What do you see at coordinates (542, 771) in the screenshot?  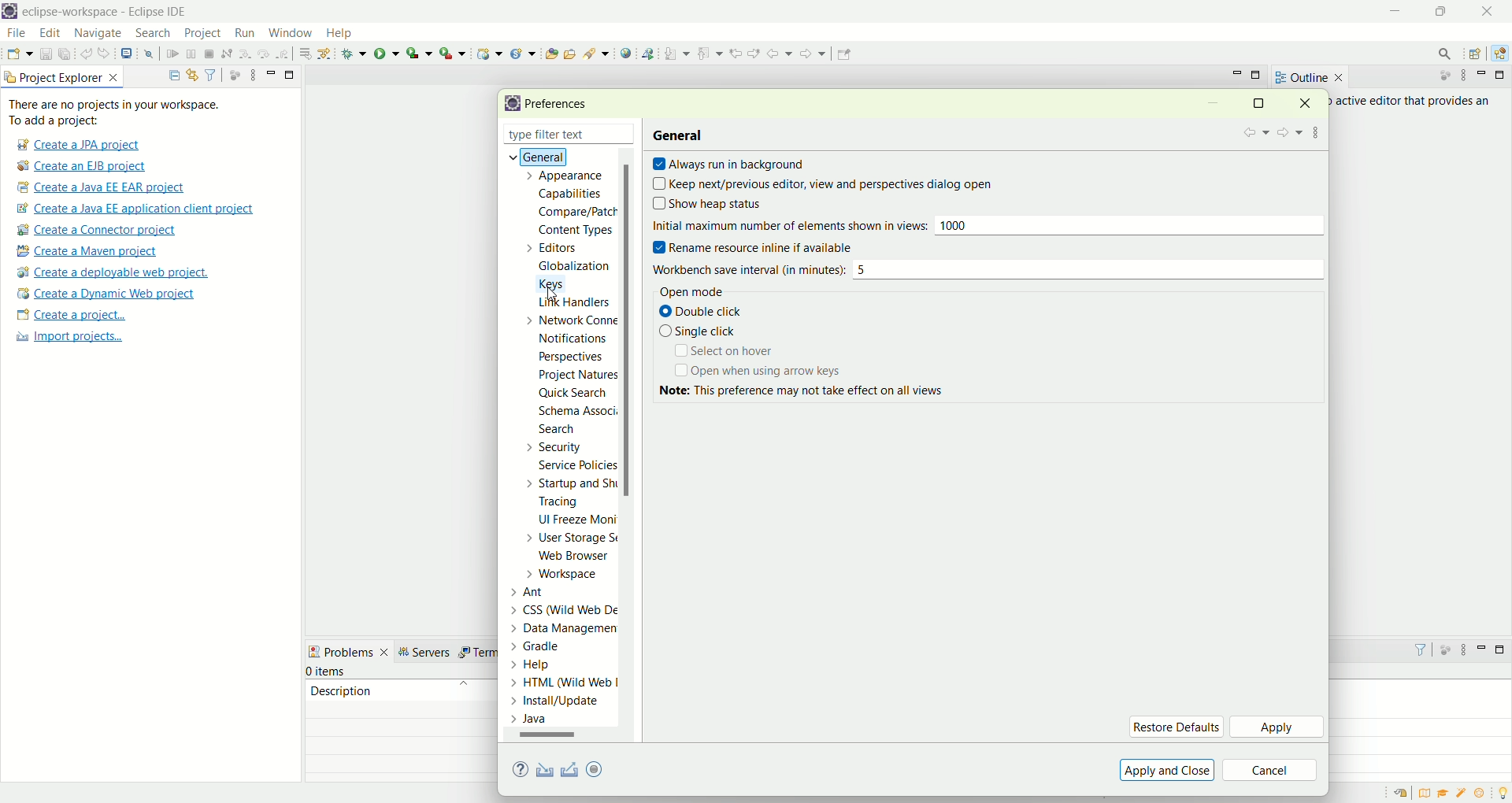 I see `import` at bounding box center [542, 771].